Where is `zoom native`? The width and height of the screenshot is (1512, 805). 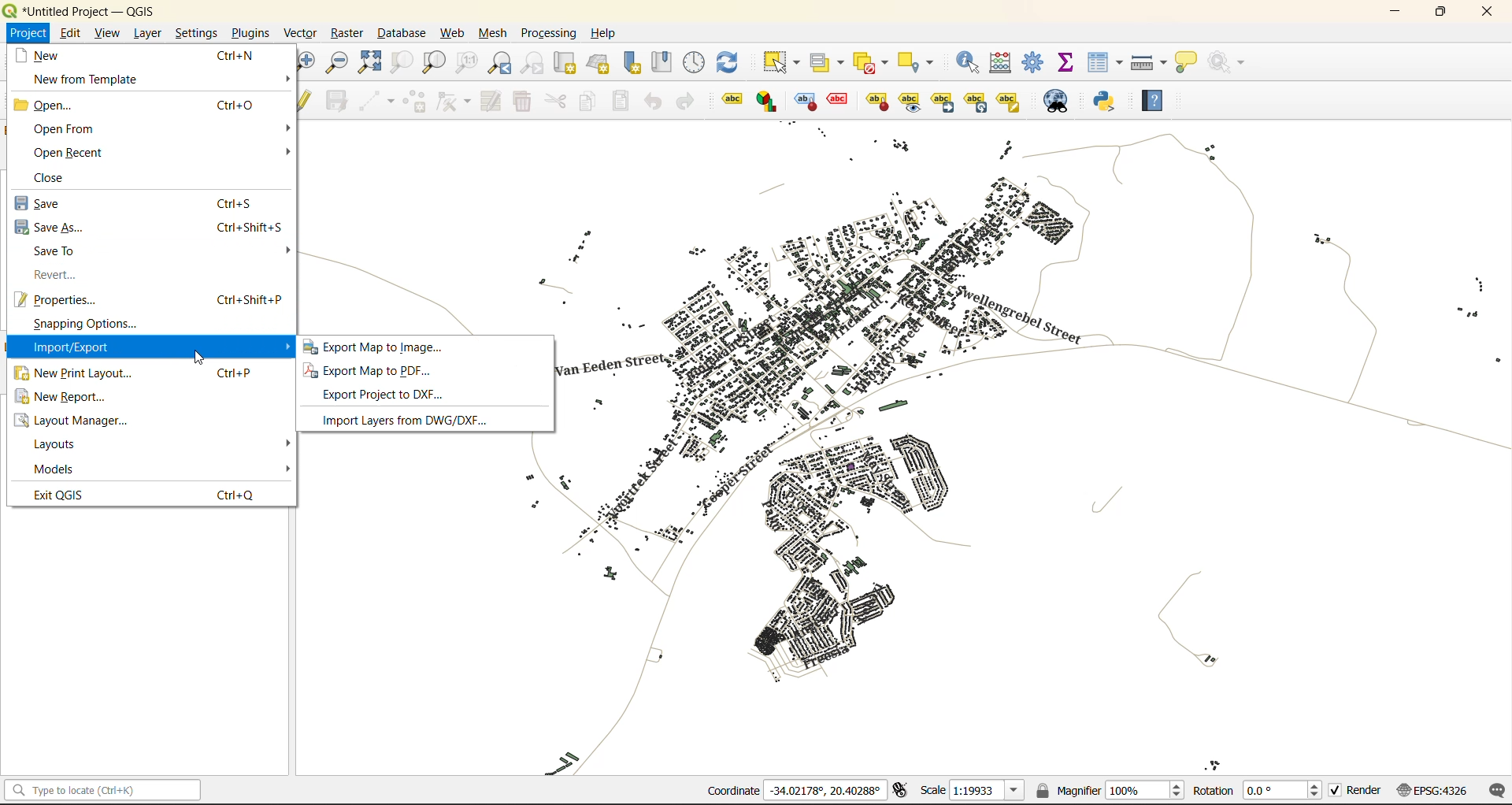
zoom native is located at coordinates (467, 63).